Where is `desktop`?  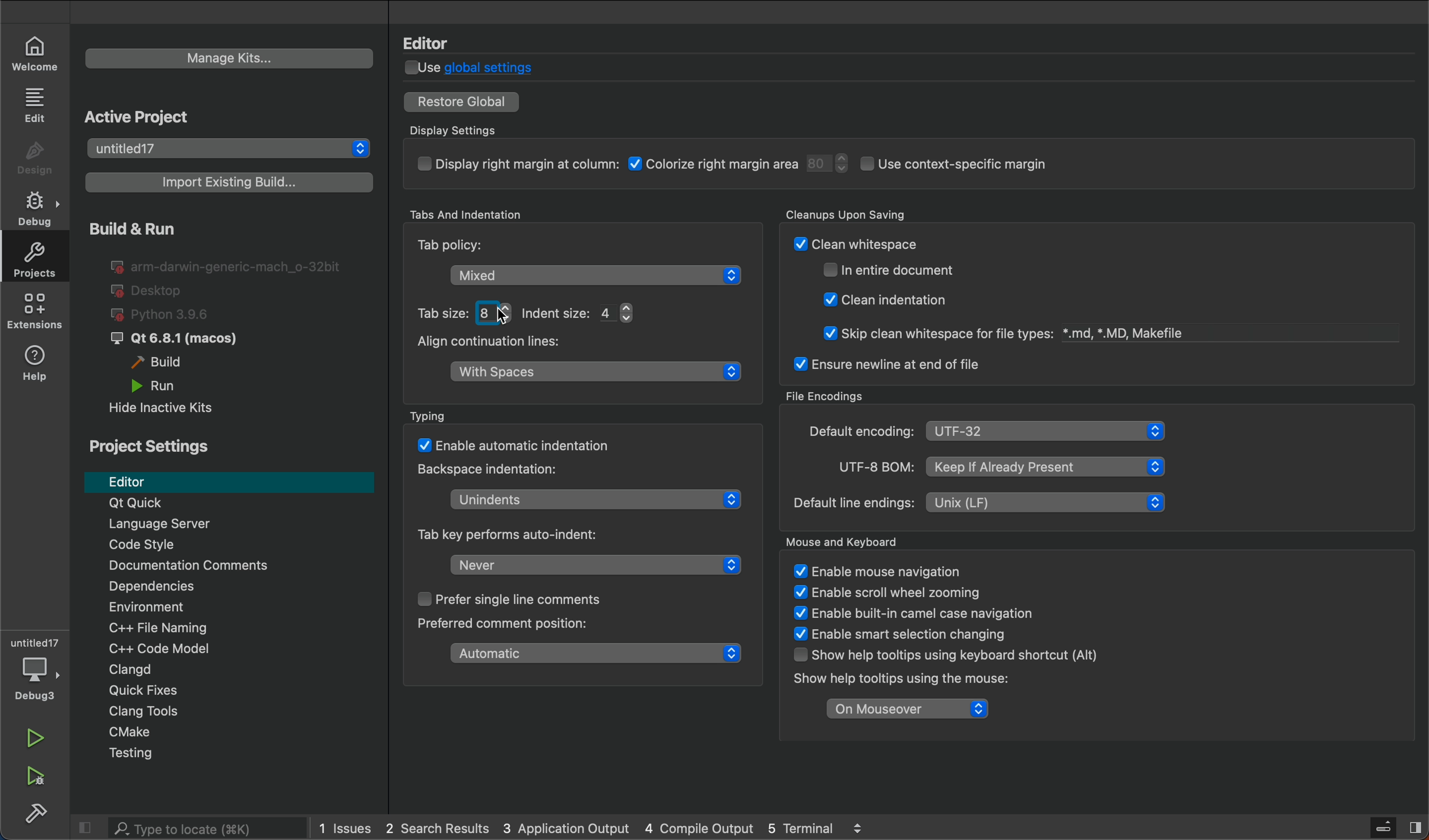 desktop is located at coordinates (150, 289).